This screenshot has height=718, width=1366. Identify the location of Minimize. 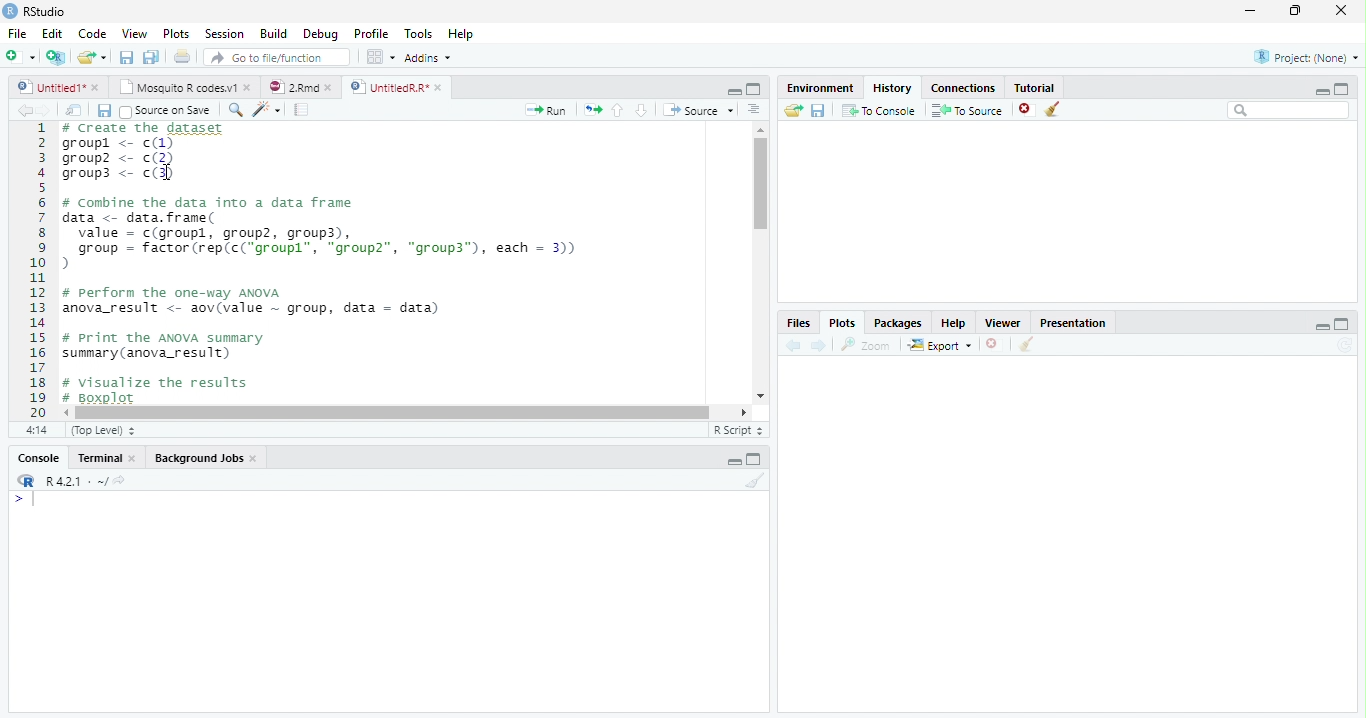
(1322, 328).